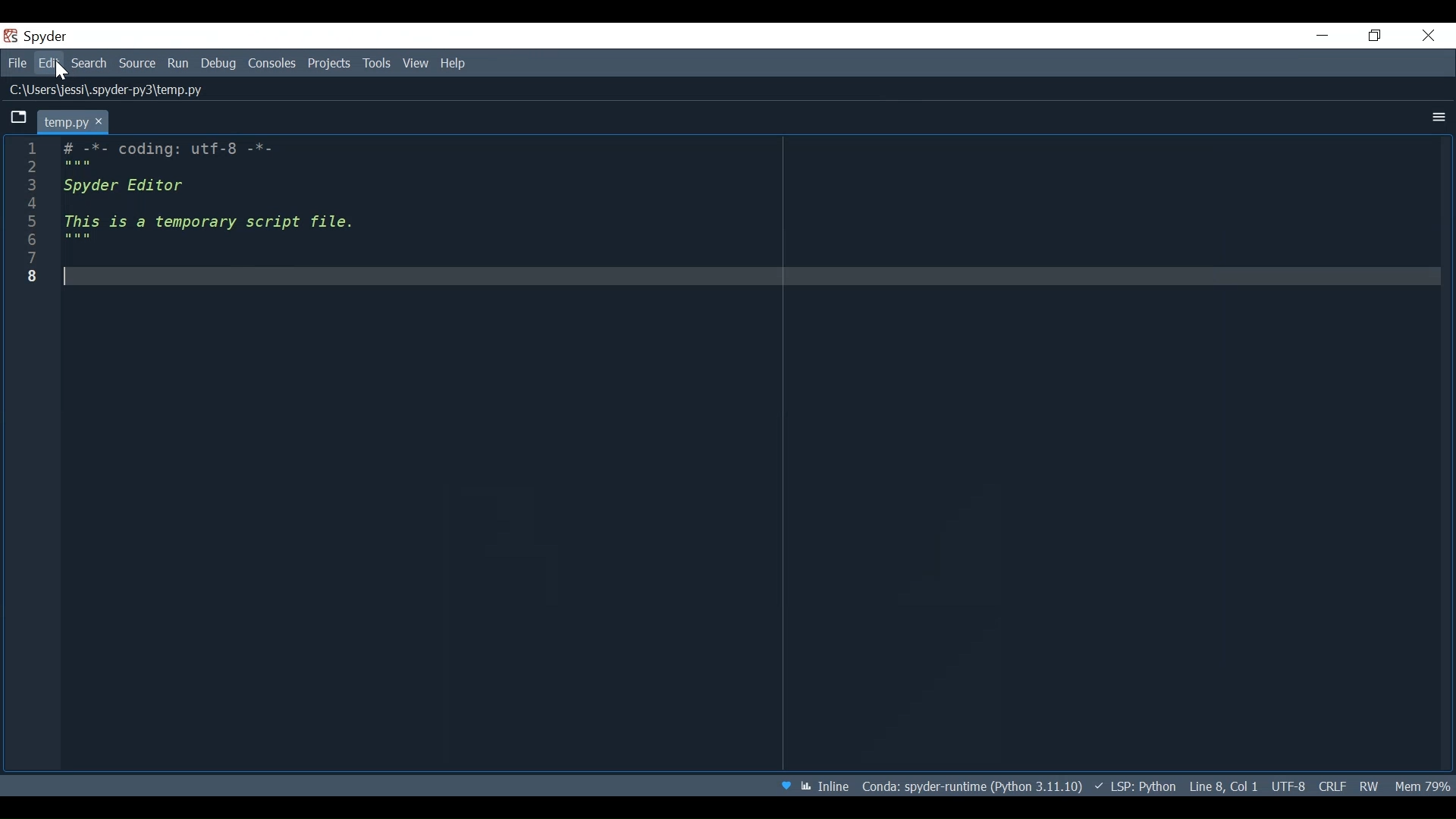  Describe the element at coordinates (377, 64) in the screenshot. I see `Tools` at that location.